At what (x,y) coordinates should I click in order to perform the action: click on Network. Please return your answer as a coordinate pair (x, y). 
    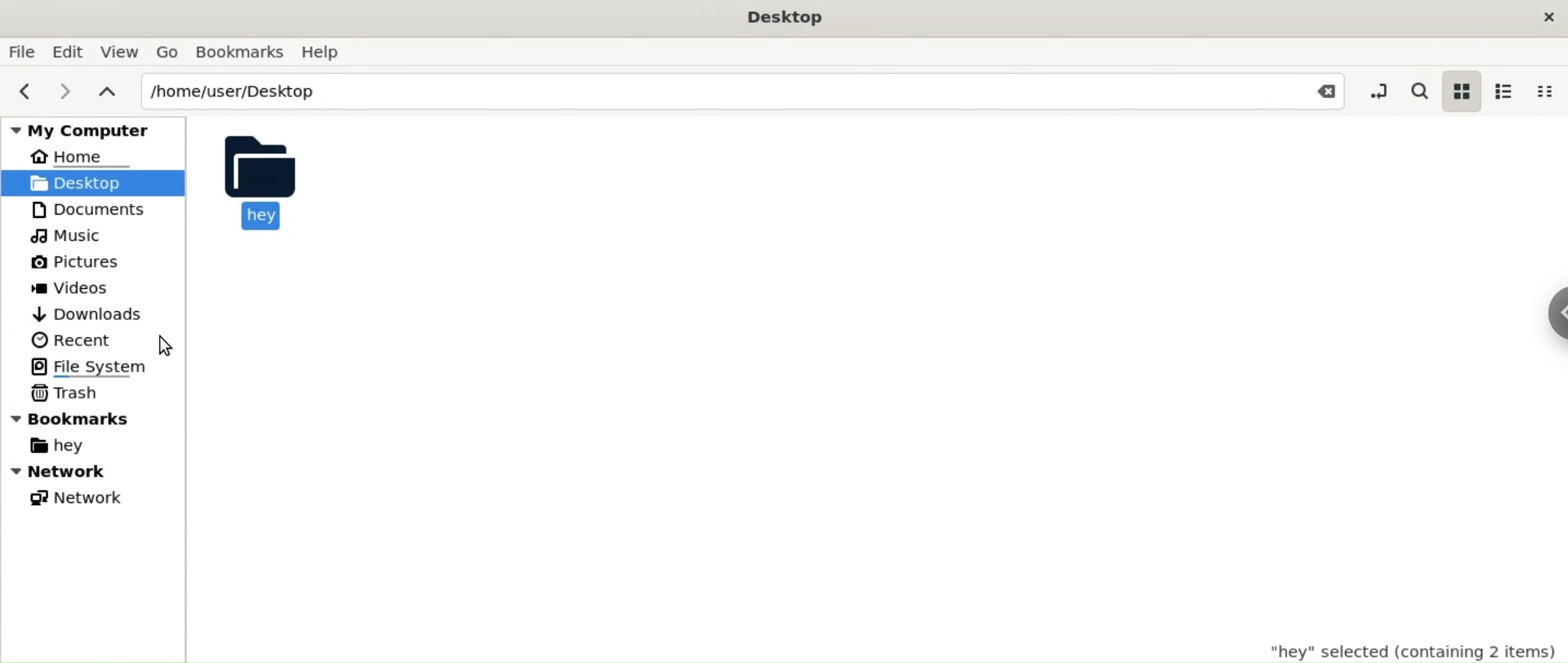
    Looking at the image, I should click on (95, 471).